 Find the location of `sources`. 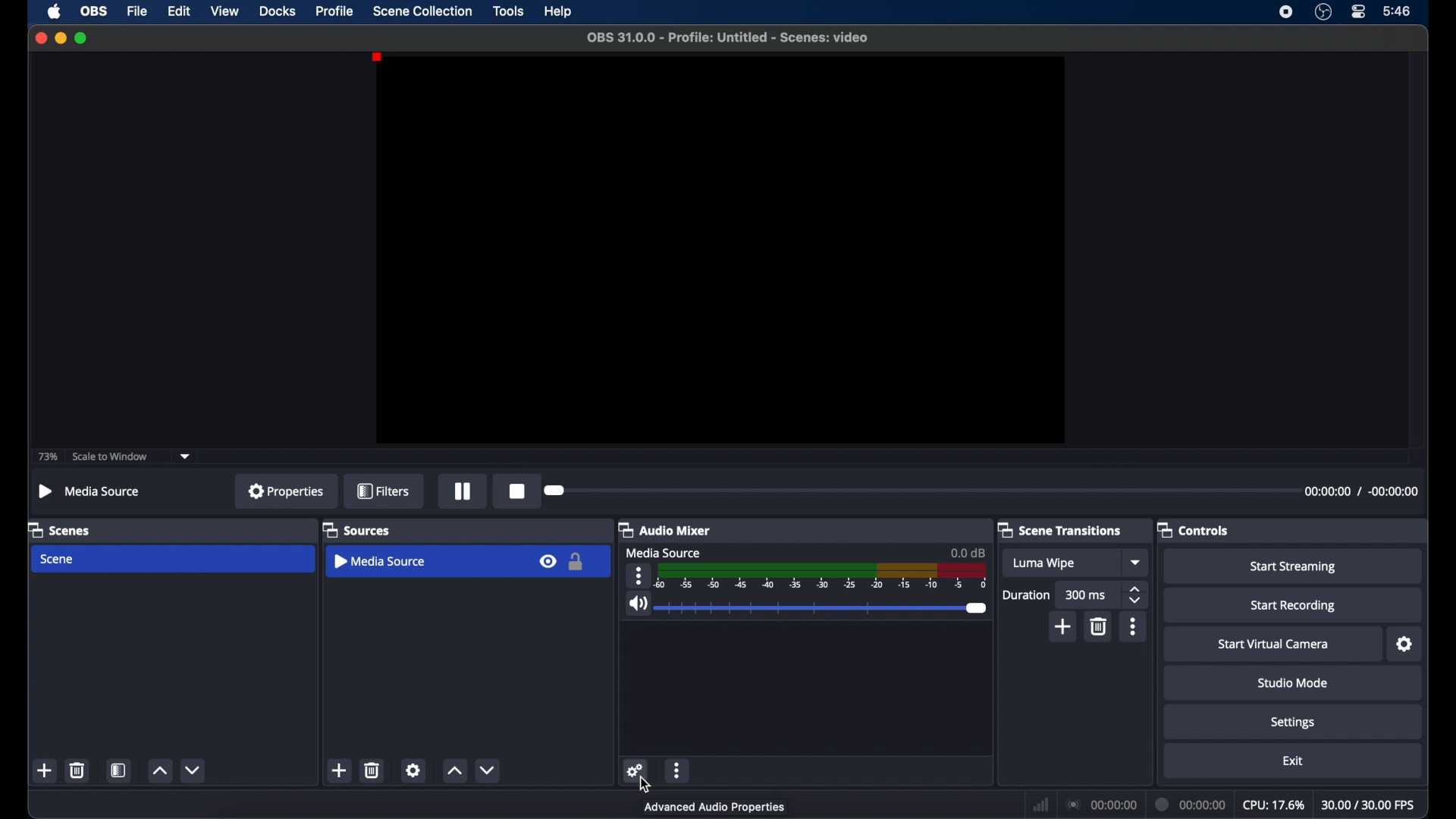

sources is located at coordinates (356, 529).